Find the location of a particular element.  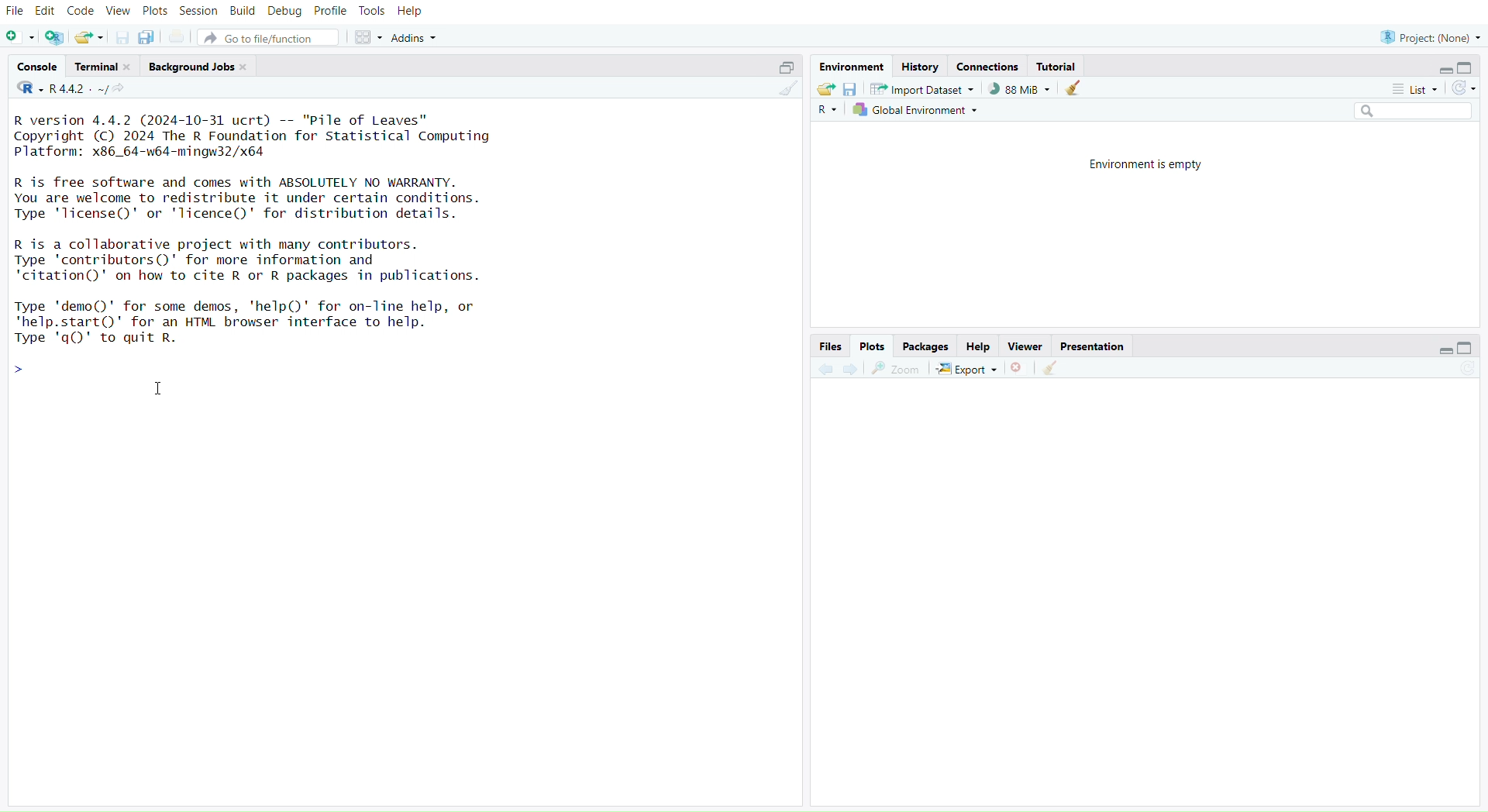

cursor is located at coordinates (160, 391).